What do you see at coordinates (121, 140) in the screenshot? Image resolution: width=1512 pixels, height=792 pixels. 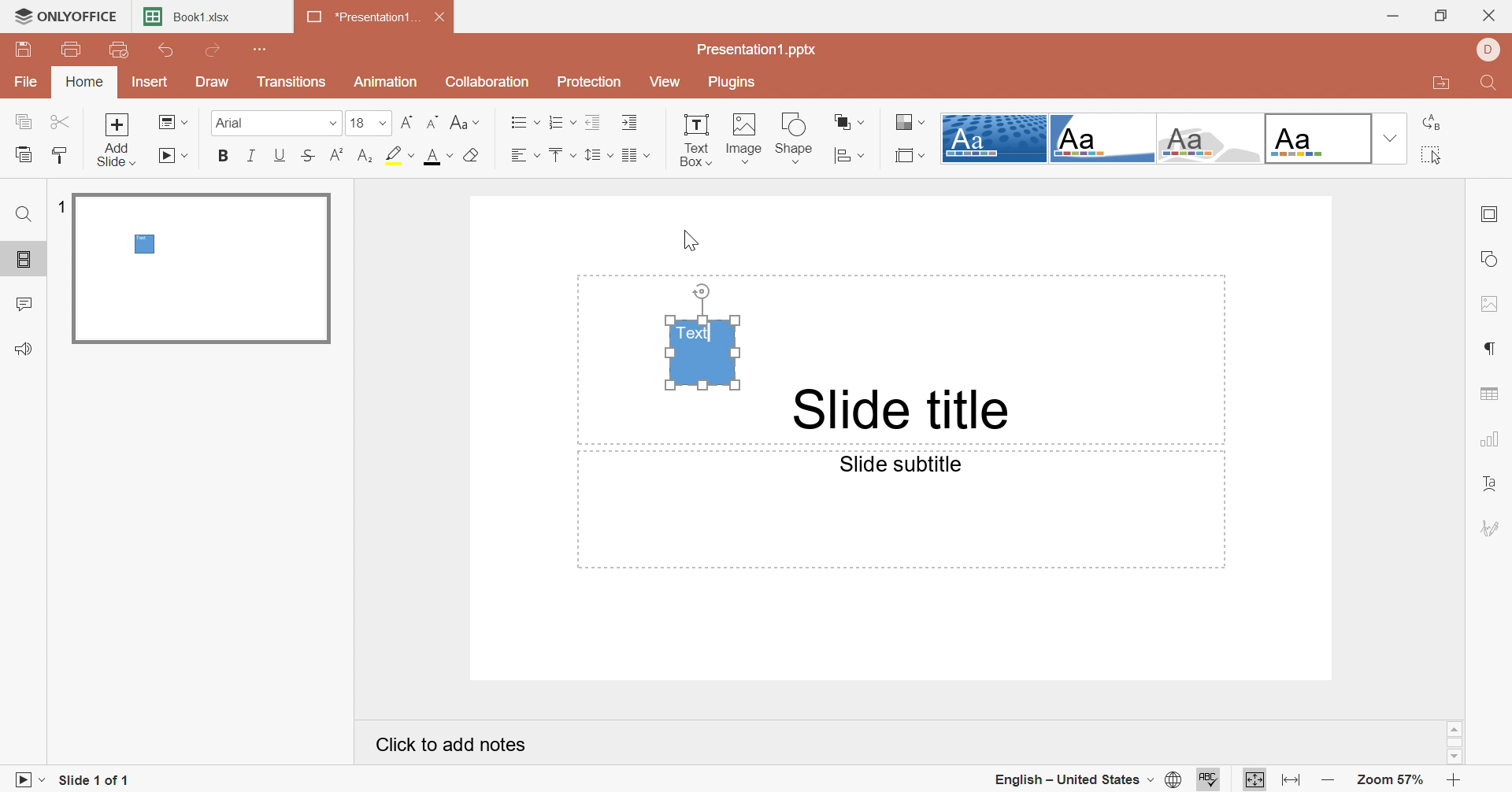 I see `Add slide` at bounding box center [121, 140].